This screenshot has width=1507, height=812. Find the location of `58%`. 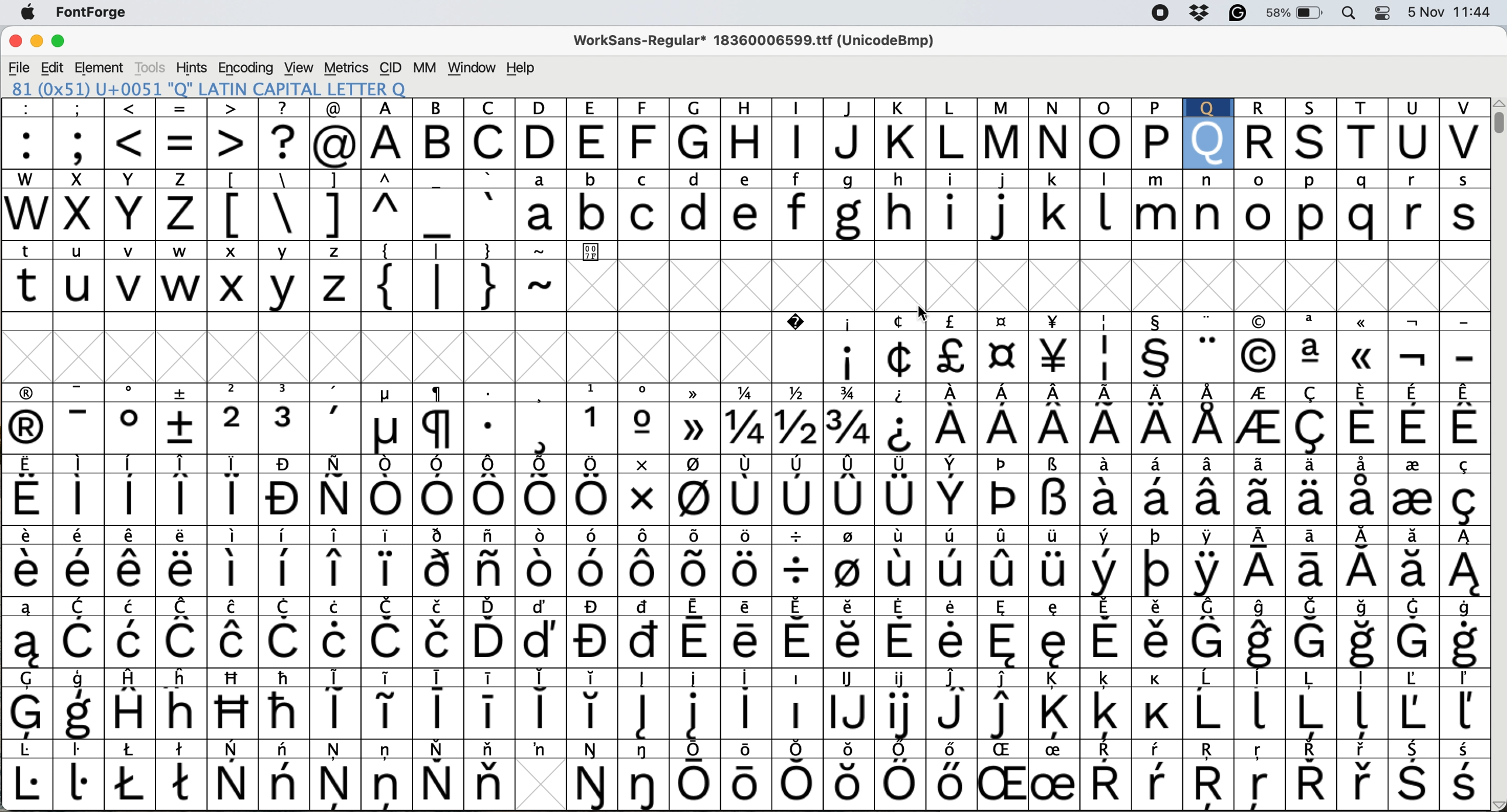

58% is located at coordinates (1298, 15).